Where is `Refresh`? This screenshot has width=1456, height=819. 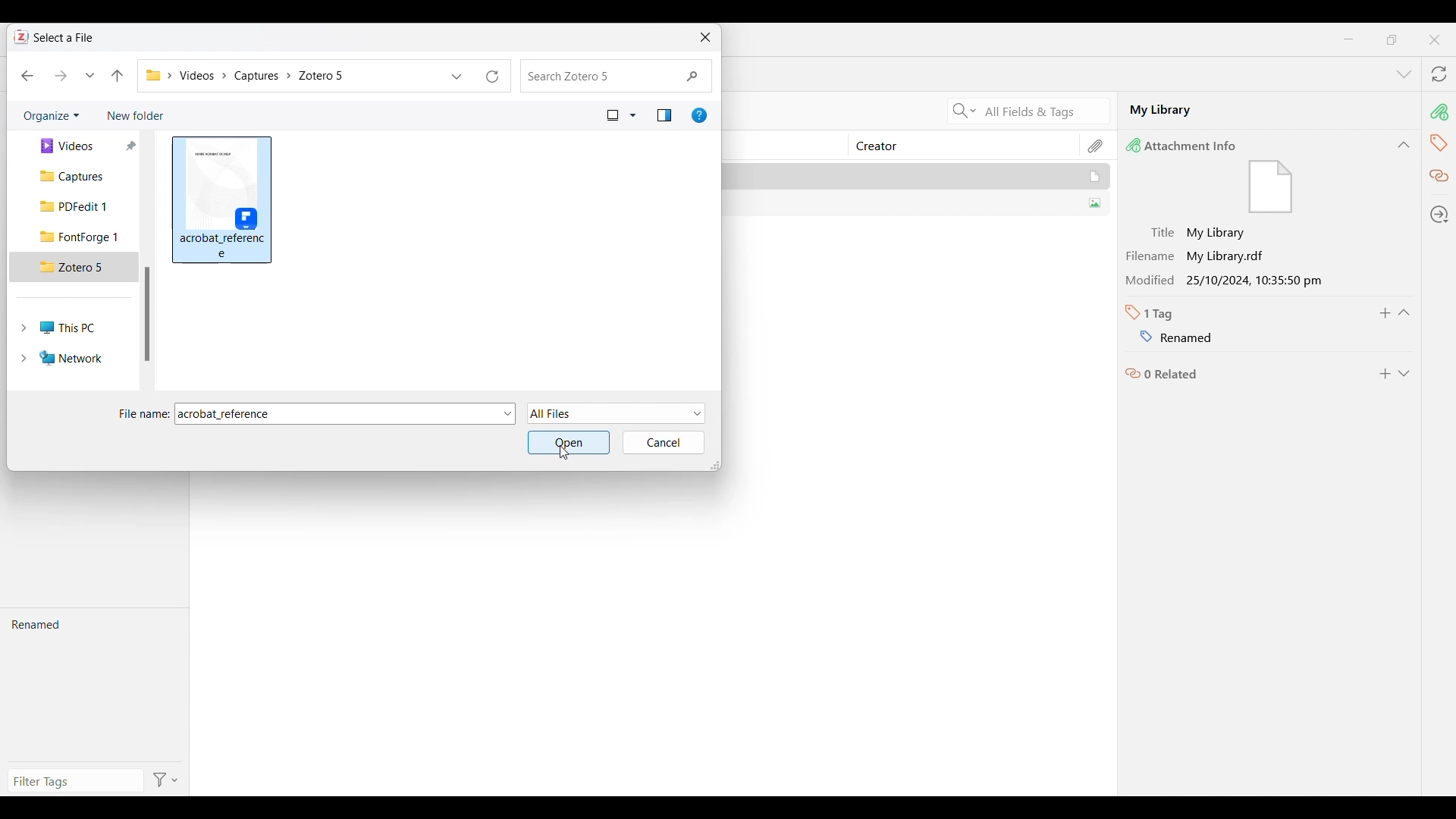
Refresh is located at coordinates (494, 76).